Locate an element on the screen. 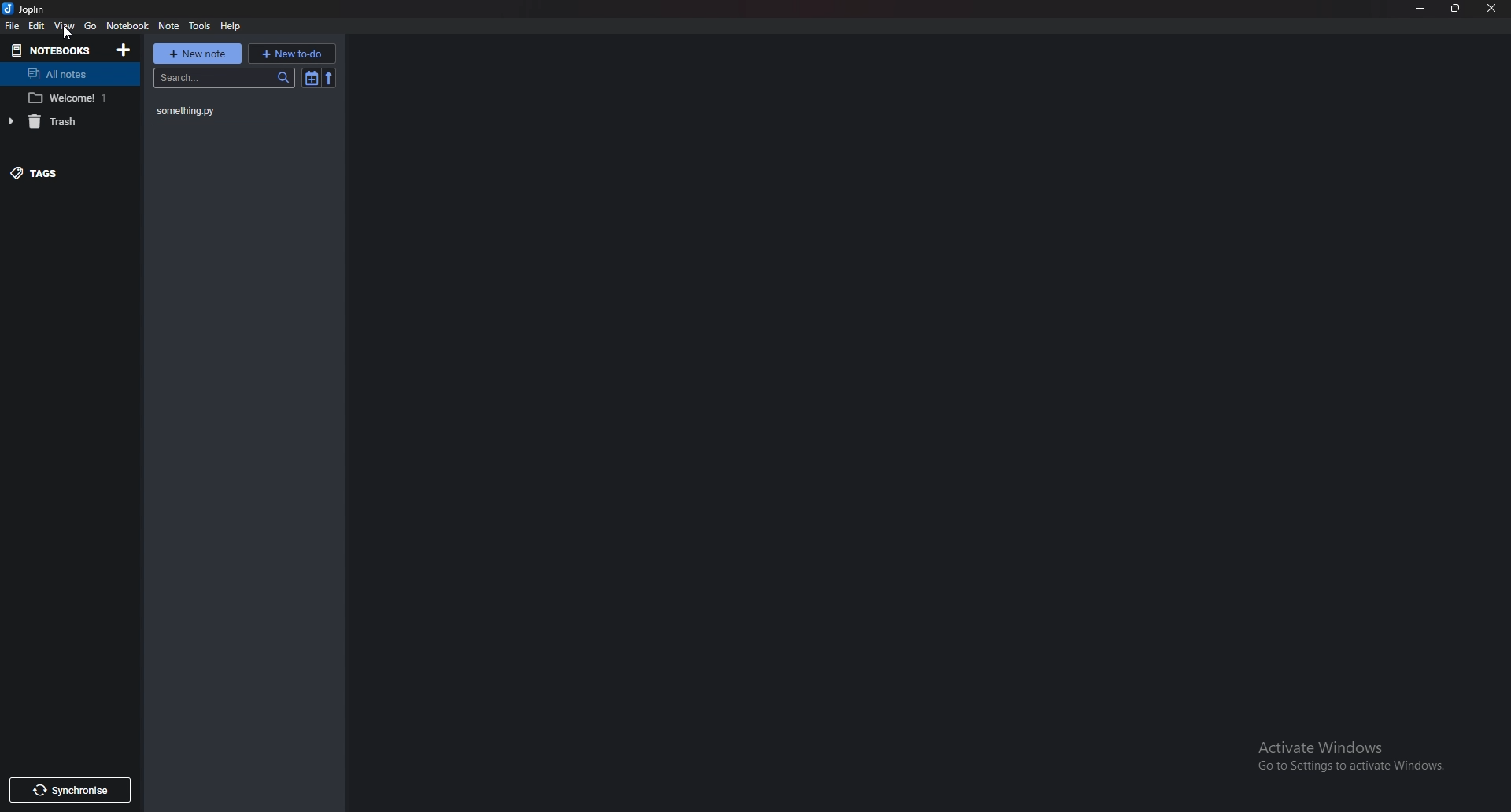  Toggle sort order is located at coordinates (310, 77).